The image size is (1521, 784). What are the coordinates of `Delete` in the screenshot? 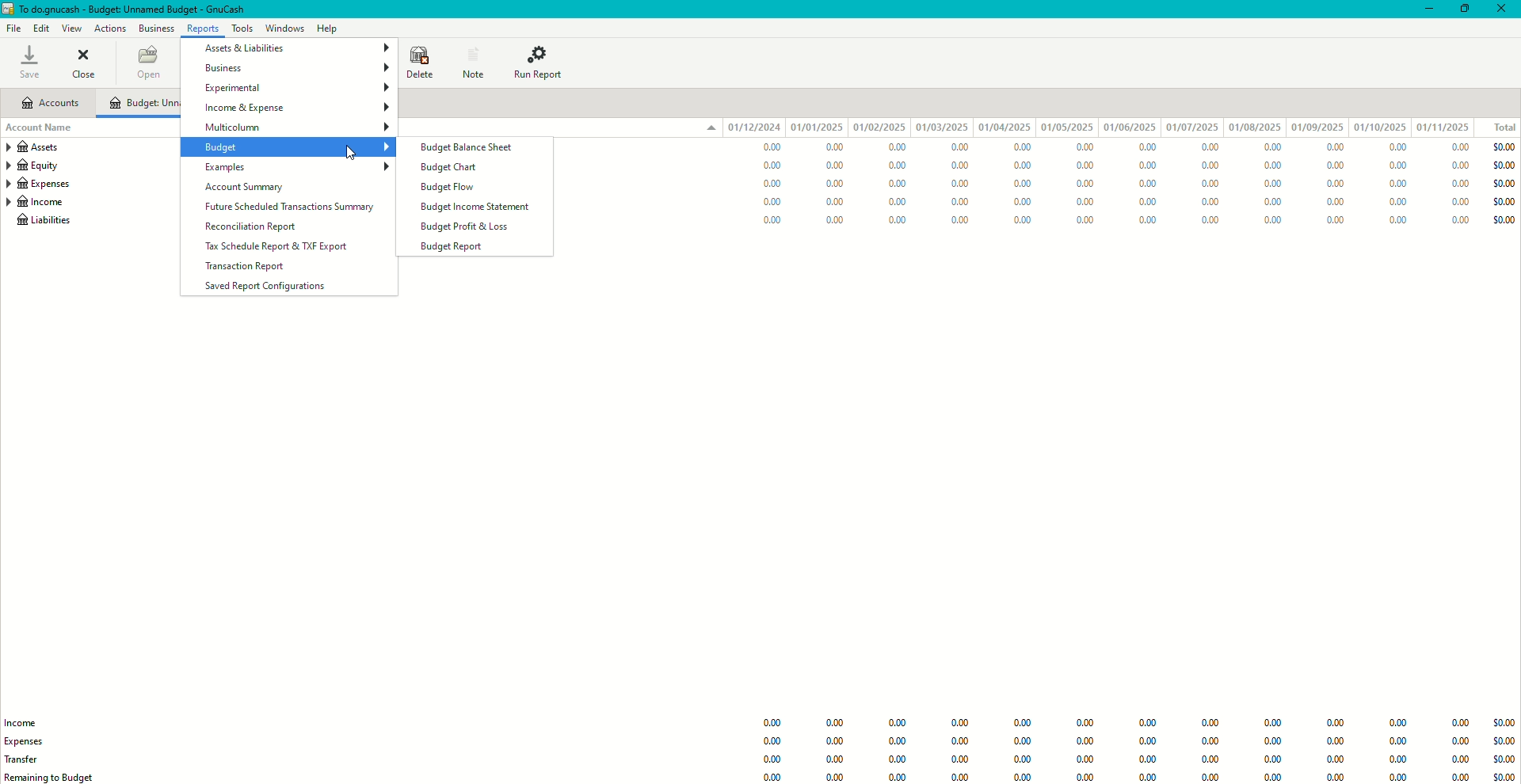 It's located at (418, 61).